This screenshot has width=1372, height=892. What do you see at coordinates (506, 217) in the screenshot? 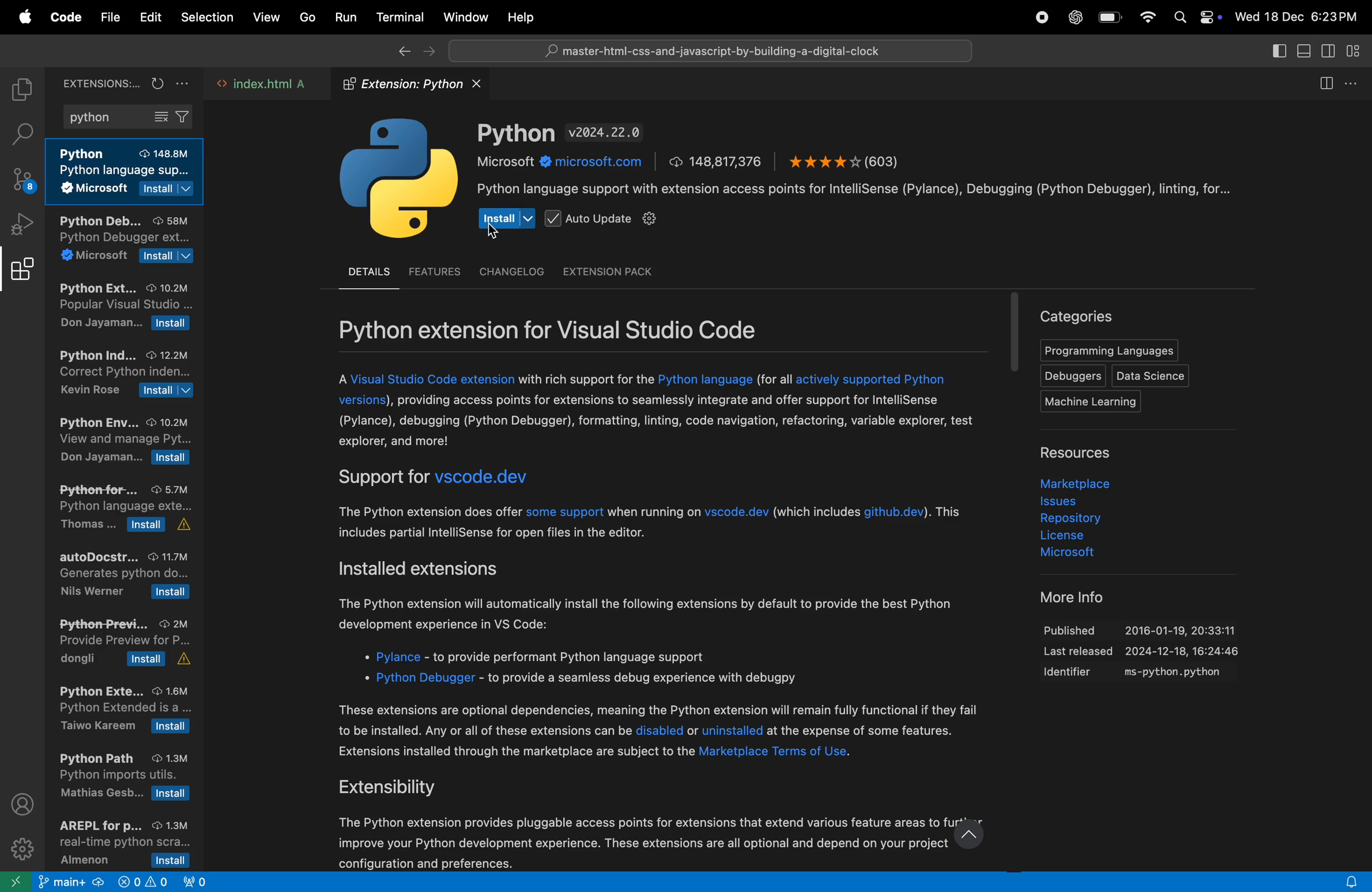
I see `install` at bounding box center [506, 217].